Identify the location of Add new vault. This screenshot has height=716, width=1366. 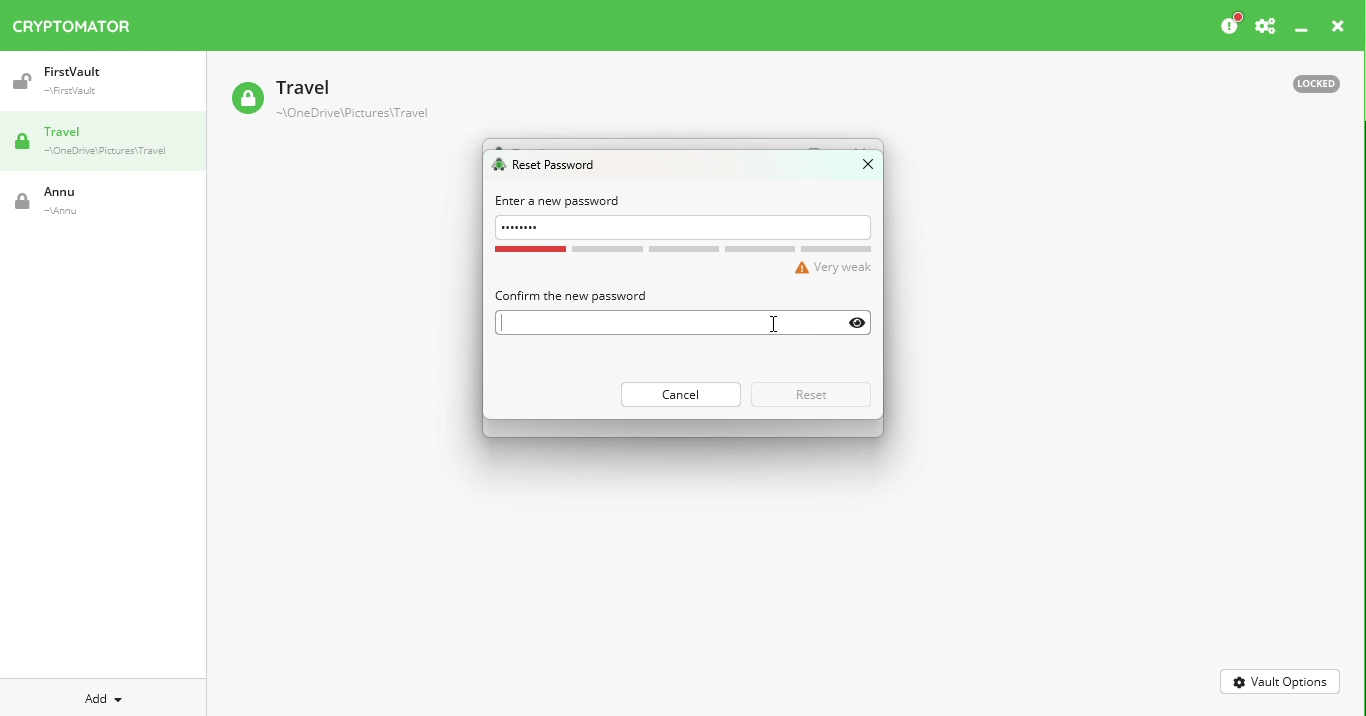
(104, 696).